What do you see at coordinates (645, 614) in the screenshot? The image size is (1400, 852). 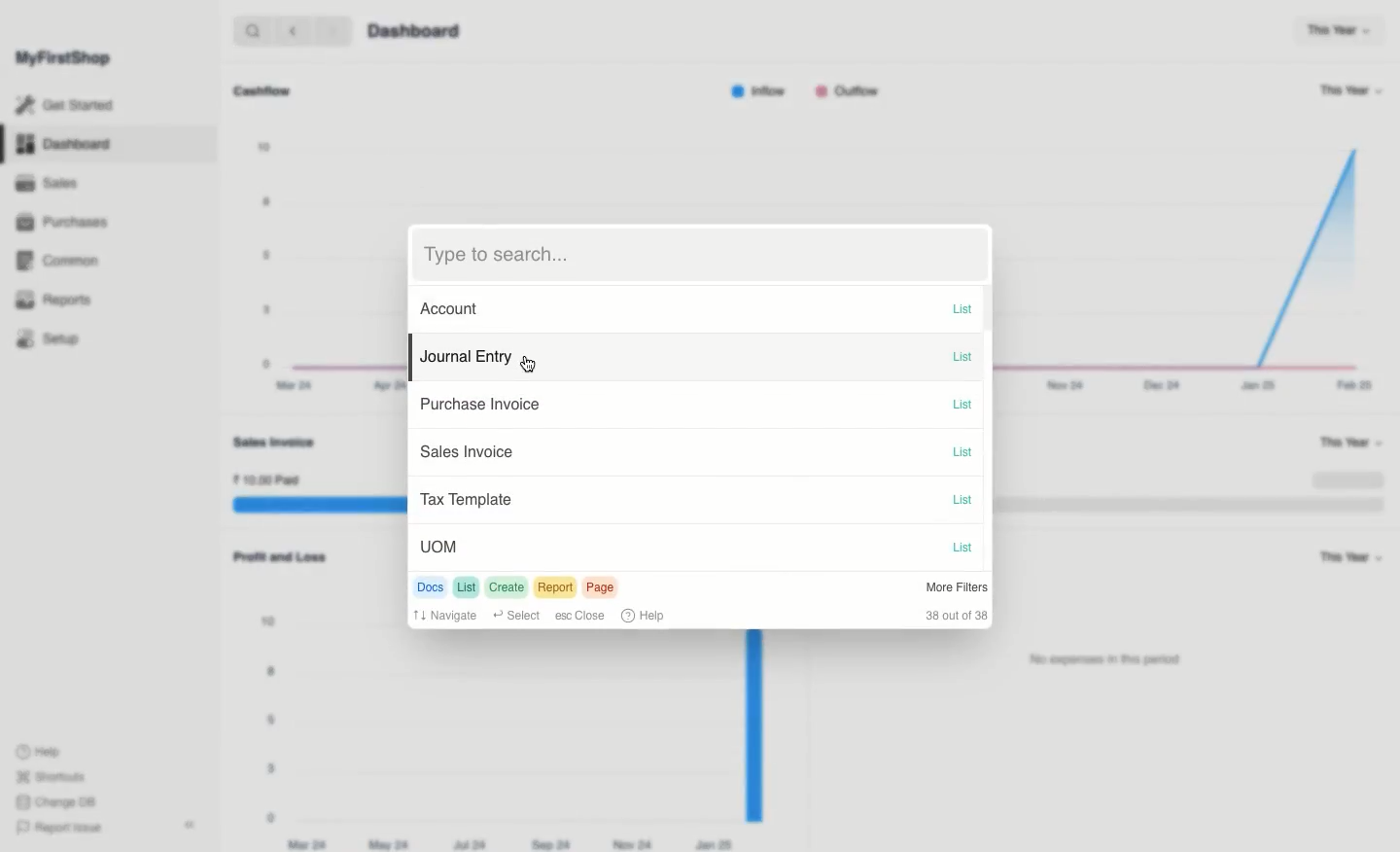 I see `Help` at bounding box center [645, 614].